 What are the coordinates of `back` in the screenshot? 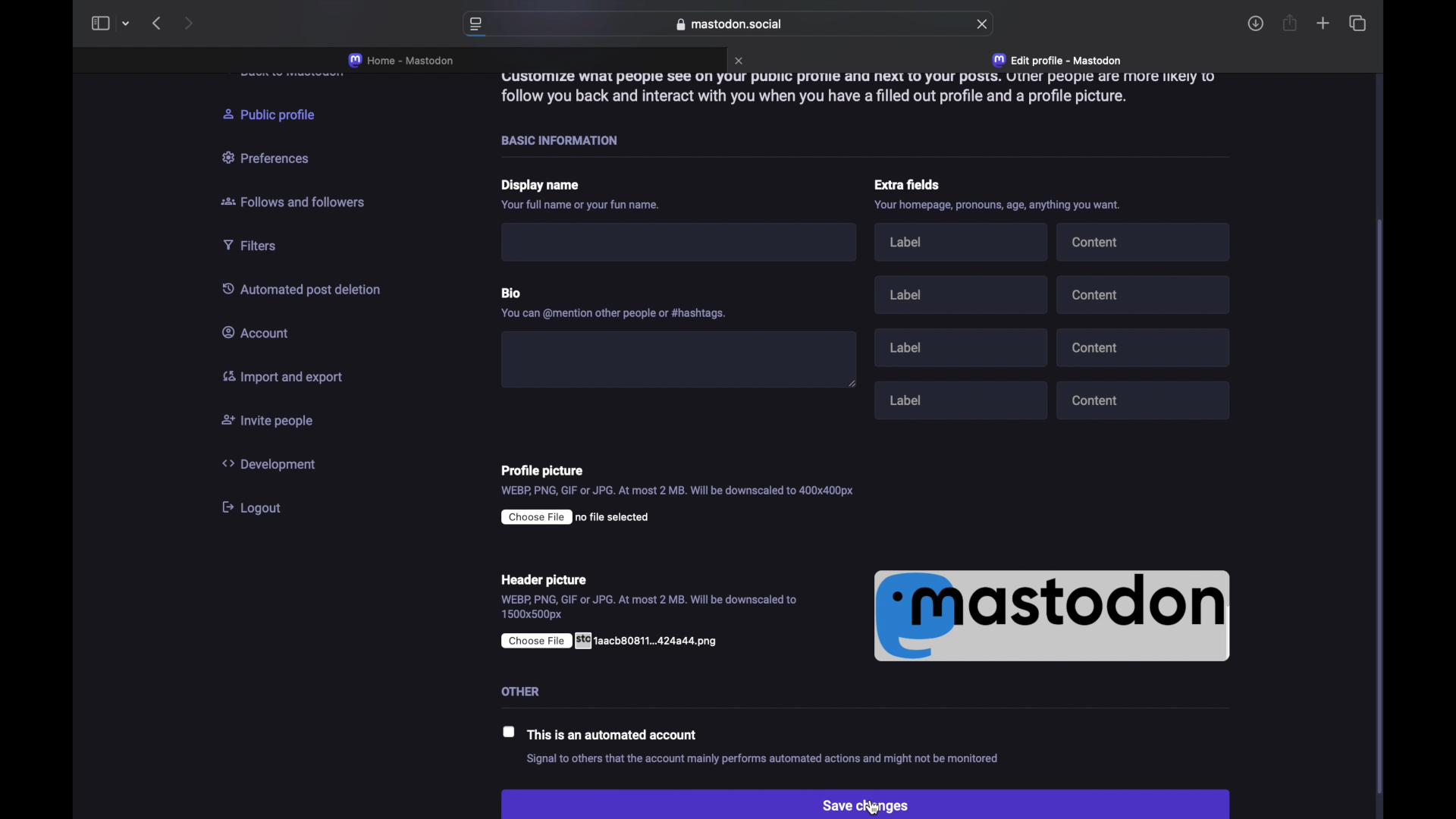 It's located at (156, 24).